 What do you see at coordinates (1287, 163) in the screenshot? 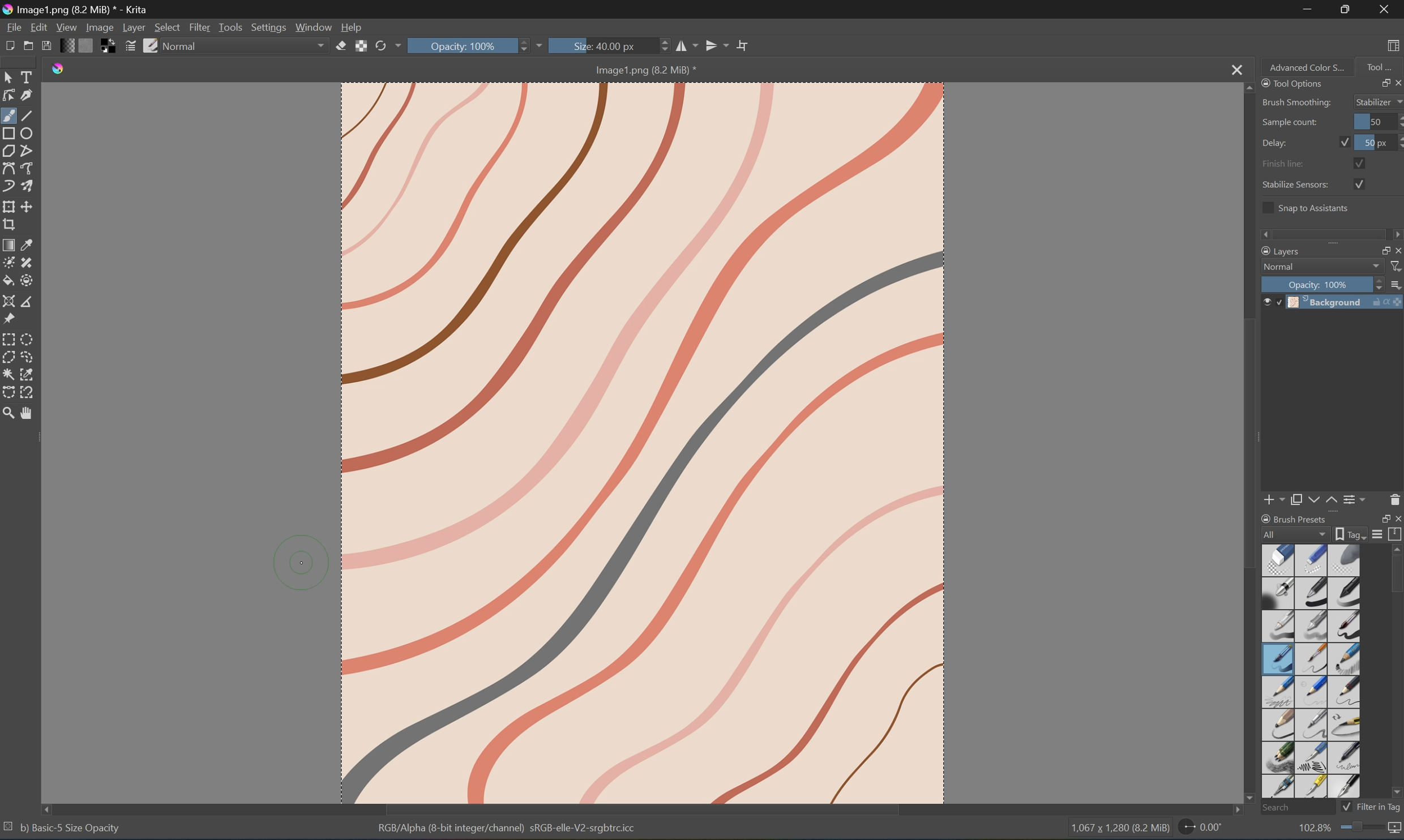
I see `Finish line:` at bounding box center [1287, 163].